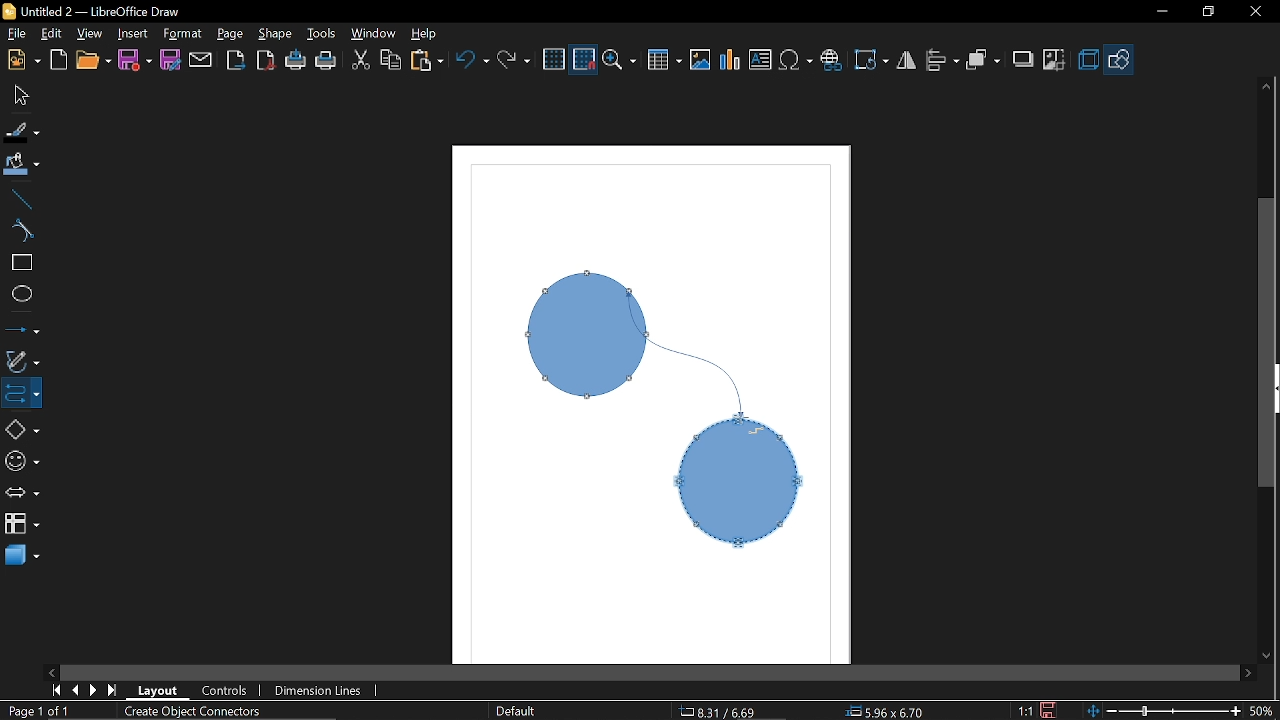 The image size is (1280, 720). Describe the element at coordinates (22, 463) in the screenshot. I see `Symbol shapes` at that location.